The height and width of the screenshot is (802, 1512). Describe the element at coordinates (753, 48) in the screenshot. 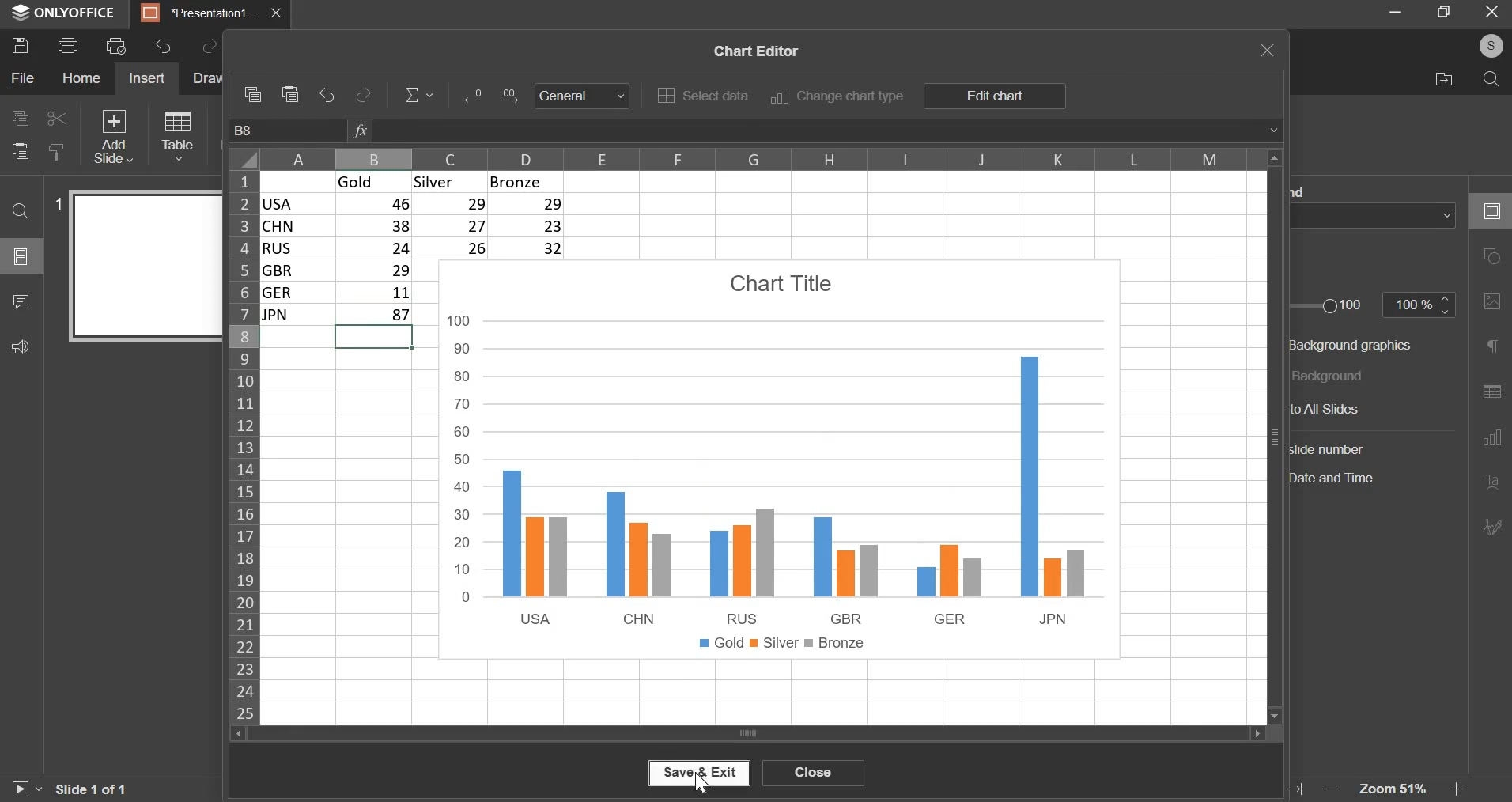

I see `chart editor` at that location.